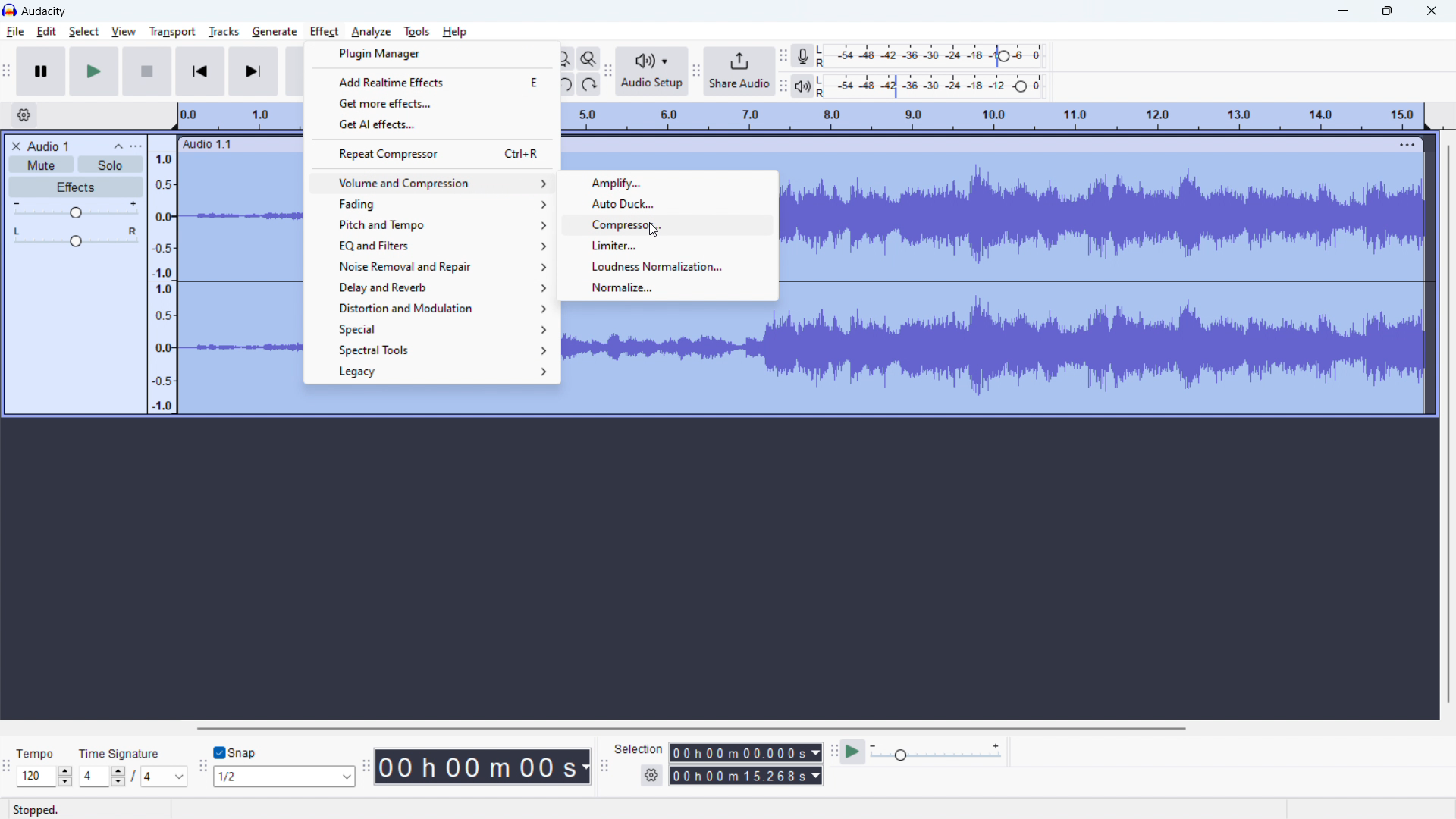  Describe the element at coordinates (689, 728) in the screenshot. I see `horizontal scrollbar` at that location.